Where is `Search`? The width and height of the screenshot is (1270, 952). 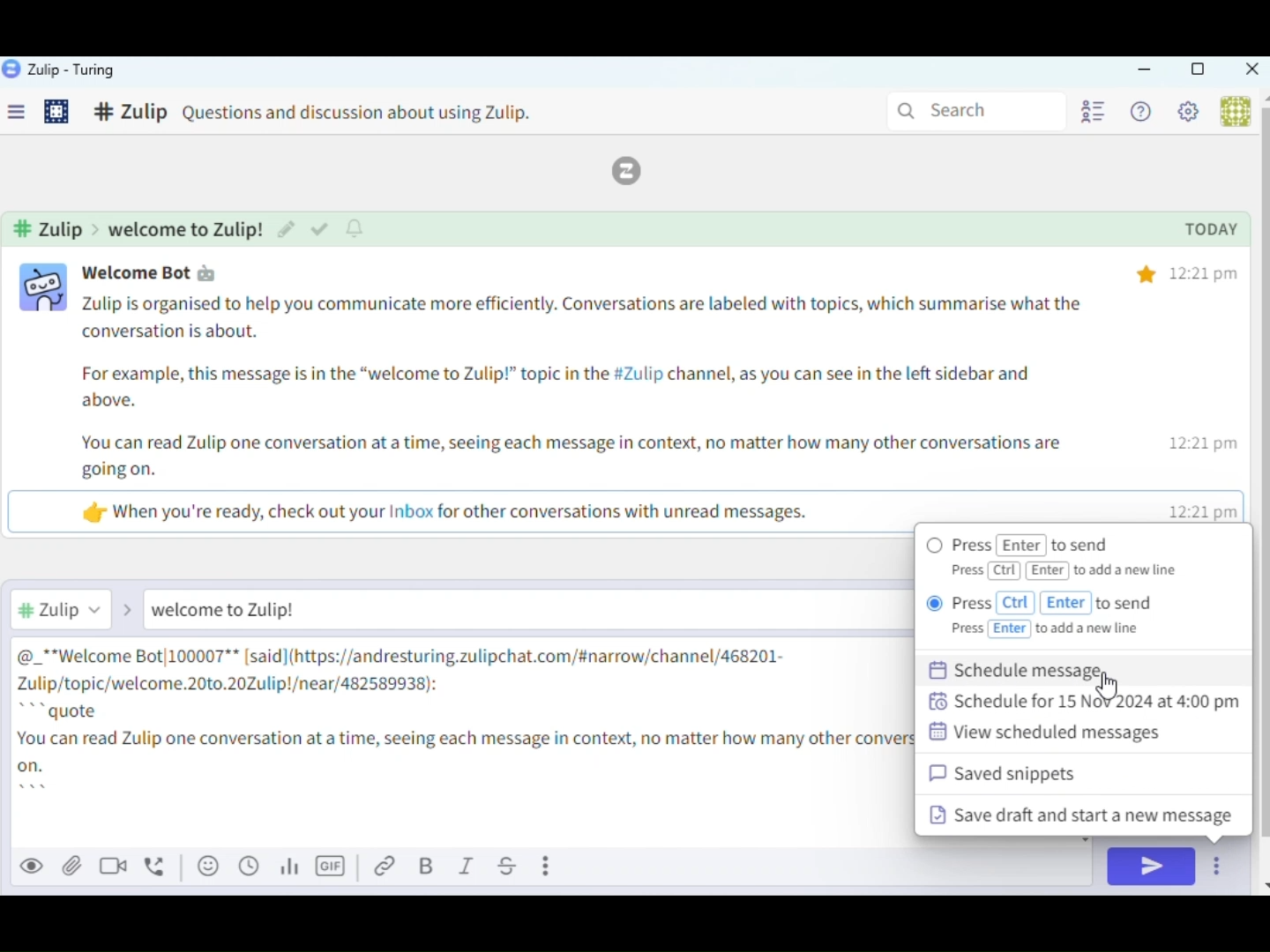
Search is located at coordinates (972, 109).